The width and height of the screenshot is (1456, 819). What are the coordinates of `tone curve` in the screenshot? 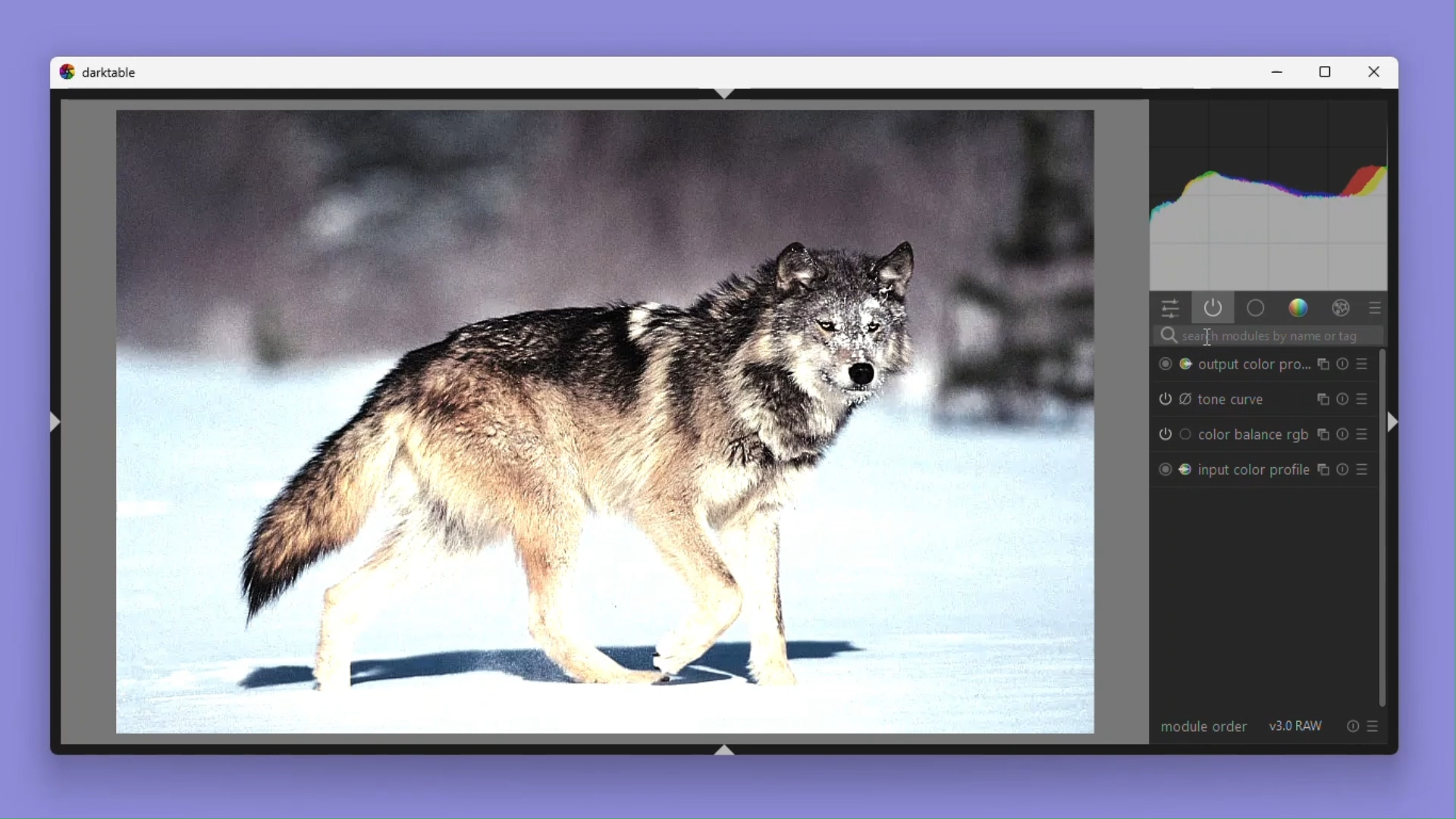 It's located at (1213, 399).